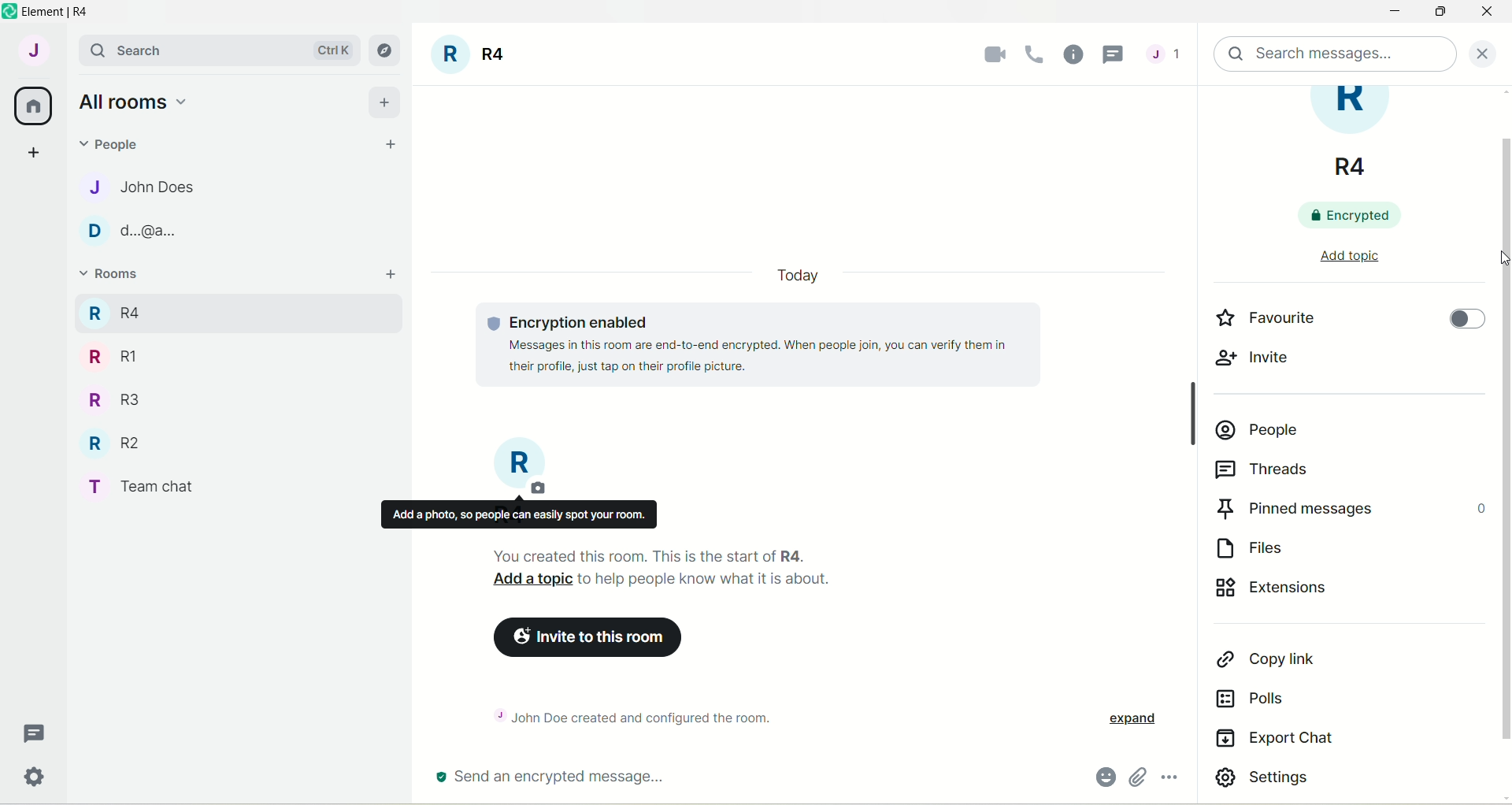 This screenshot has width=1512, height=805. What do you see at coordinates (62, 12) in the screenshot?
I see `element` at bounding box center [62, 12].